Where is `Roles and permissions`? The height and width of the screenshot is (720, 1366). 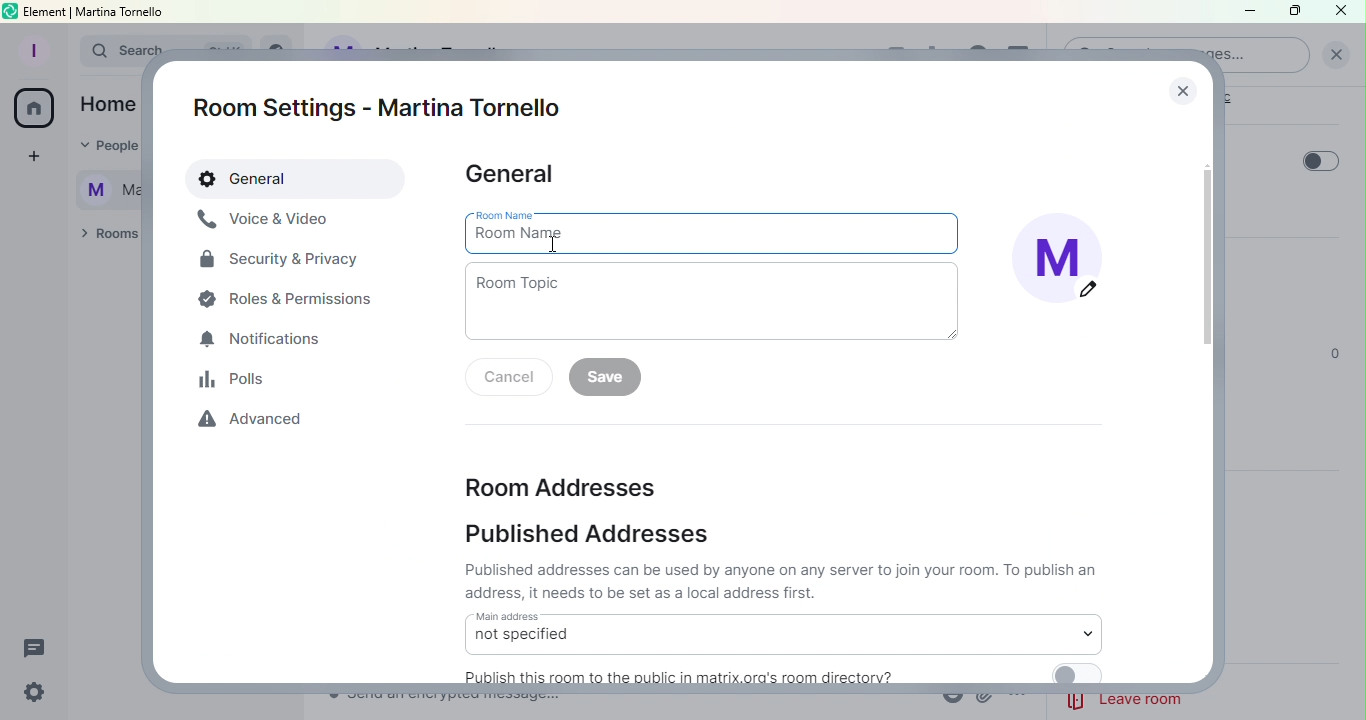 Roles and permissions is located at coordinates (291, 298).